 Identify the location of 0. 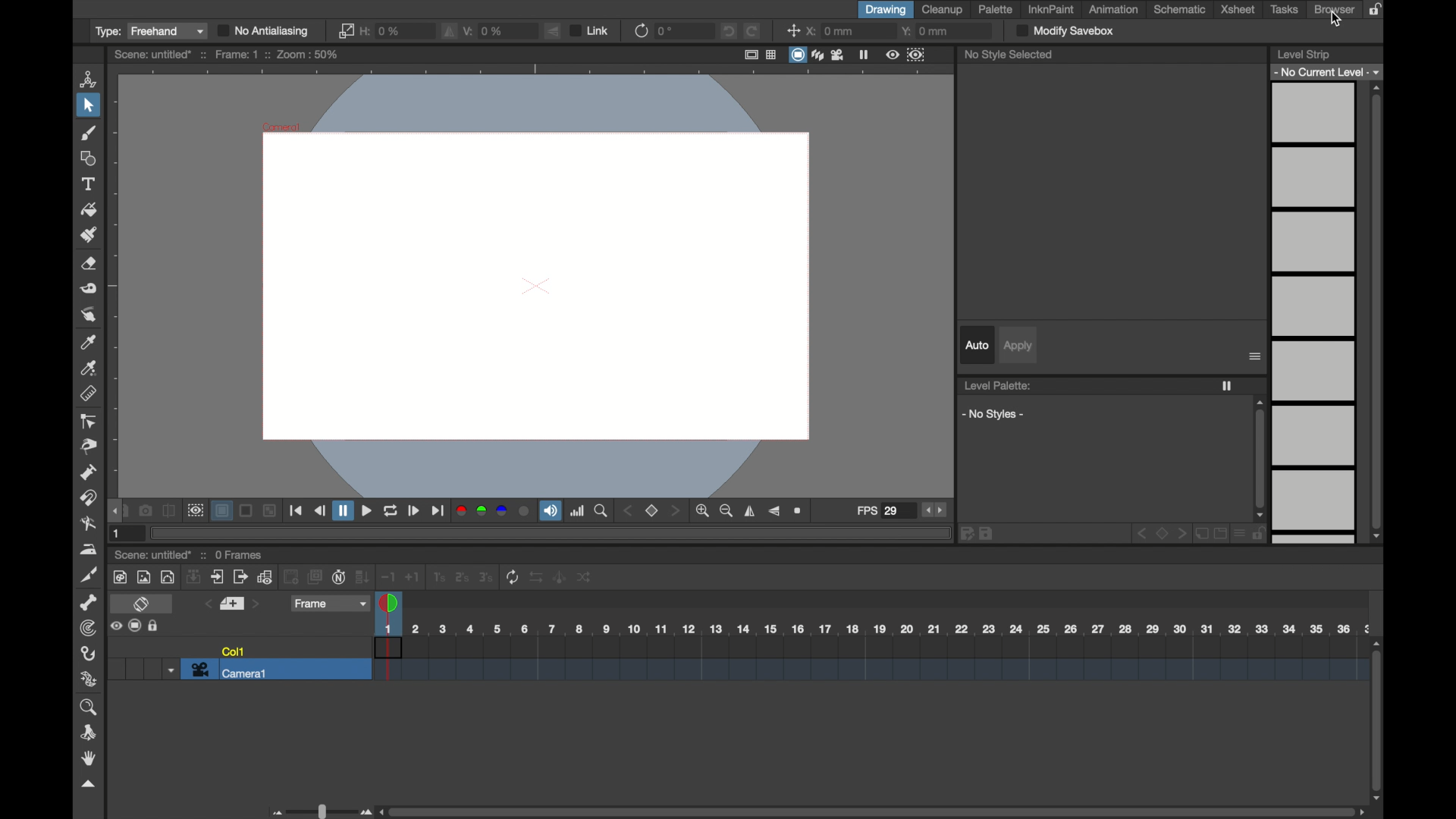
(665, 31).